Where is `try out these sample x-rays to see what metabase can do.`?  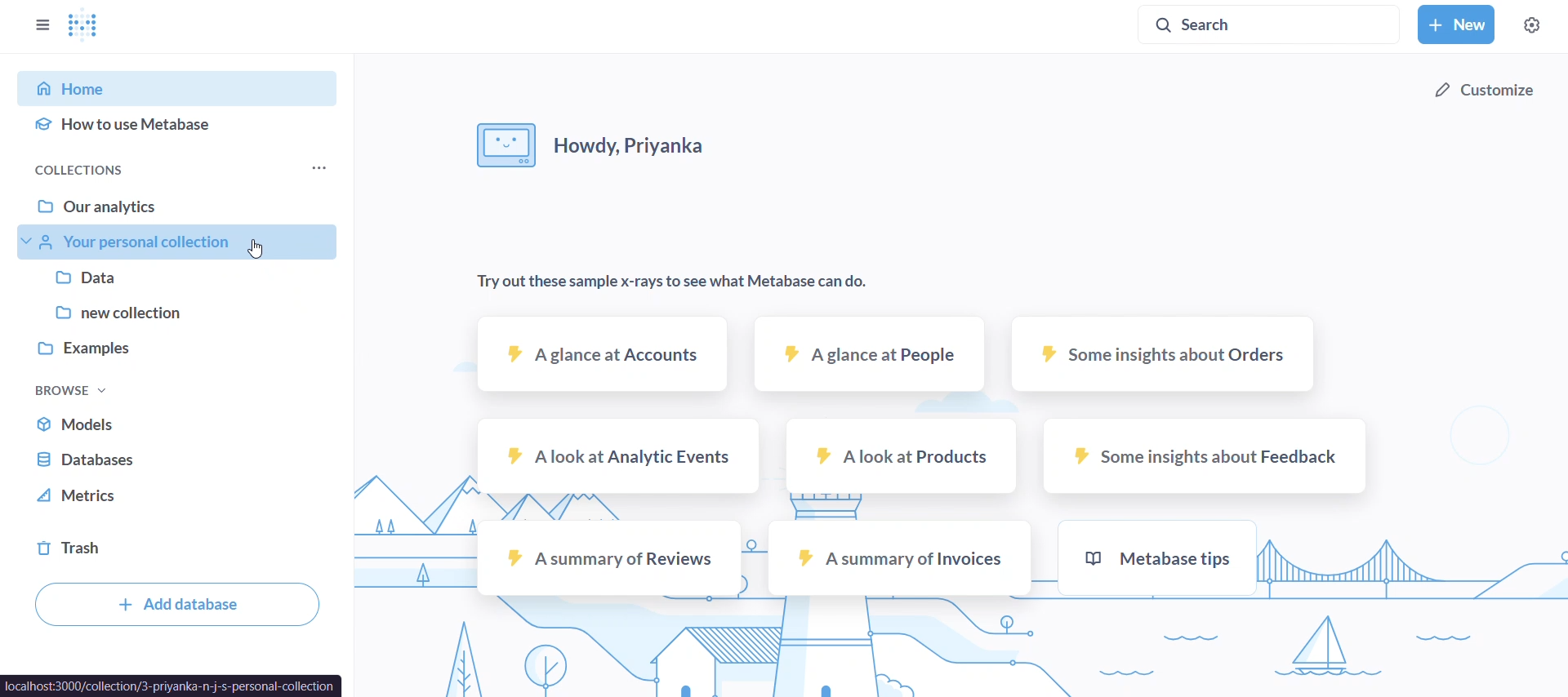 try out these sample x-rays to see what metabase can do. is located at coordinates (682, 282).